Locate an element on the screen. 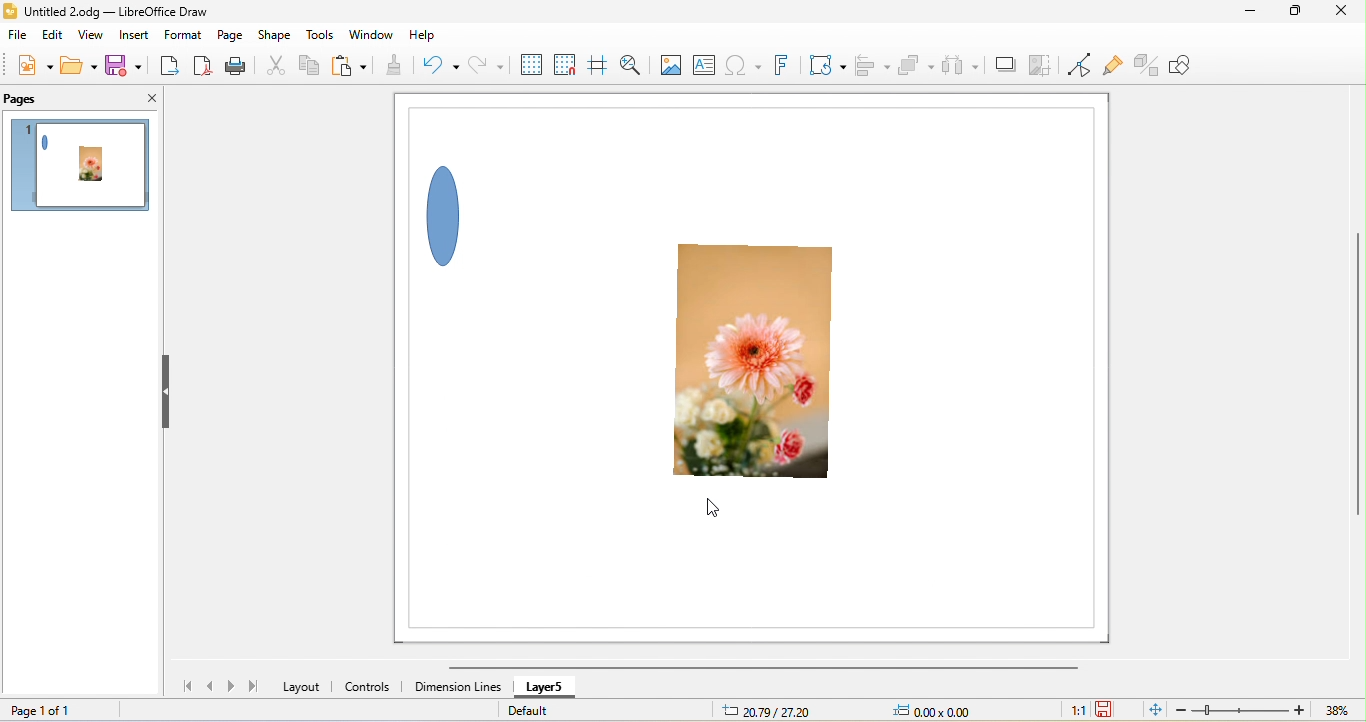 The image size is (1366, 722). page 1 of 1 is located at coordinates (41, 710).